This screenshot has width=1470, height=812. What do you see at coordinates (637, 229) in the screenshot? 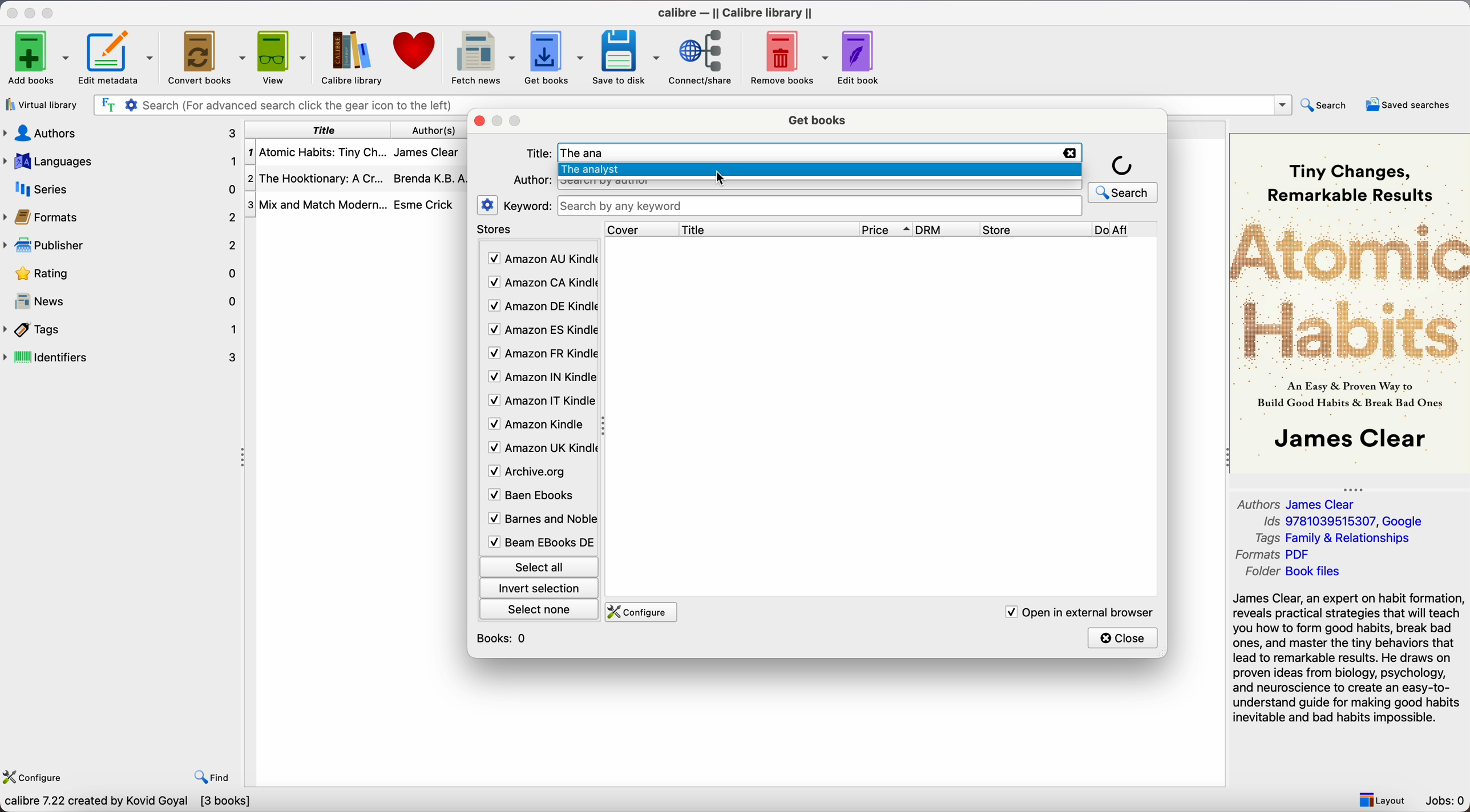
I see `cover` at bounding box center [637, 229].